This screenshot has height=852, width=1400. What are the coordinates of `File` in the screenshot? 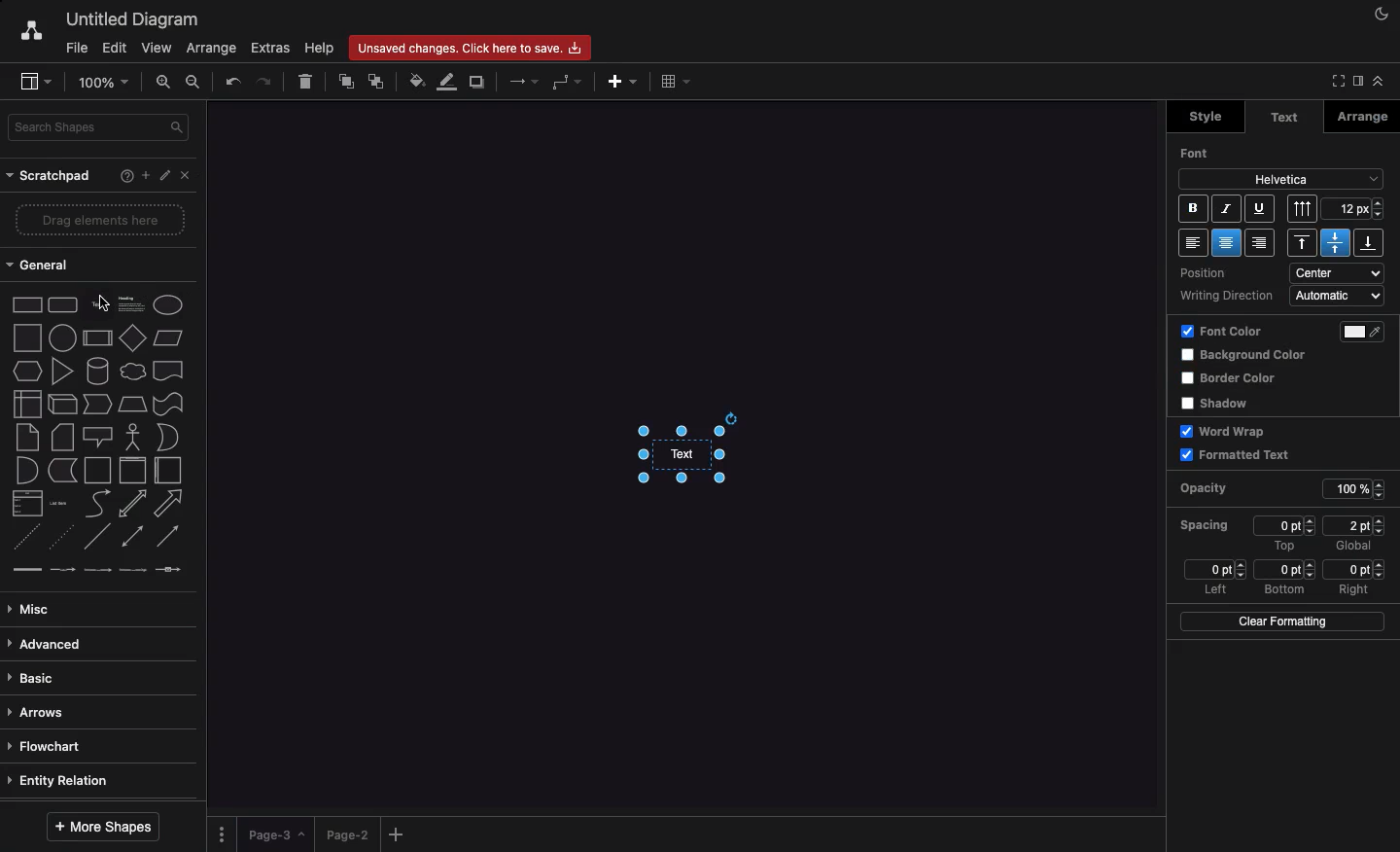 It's located at (75, 47).